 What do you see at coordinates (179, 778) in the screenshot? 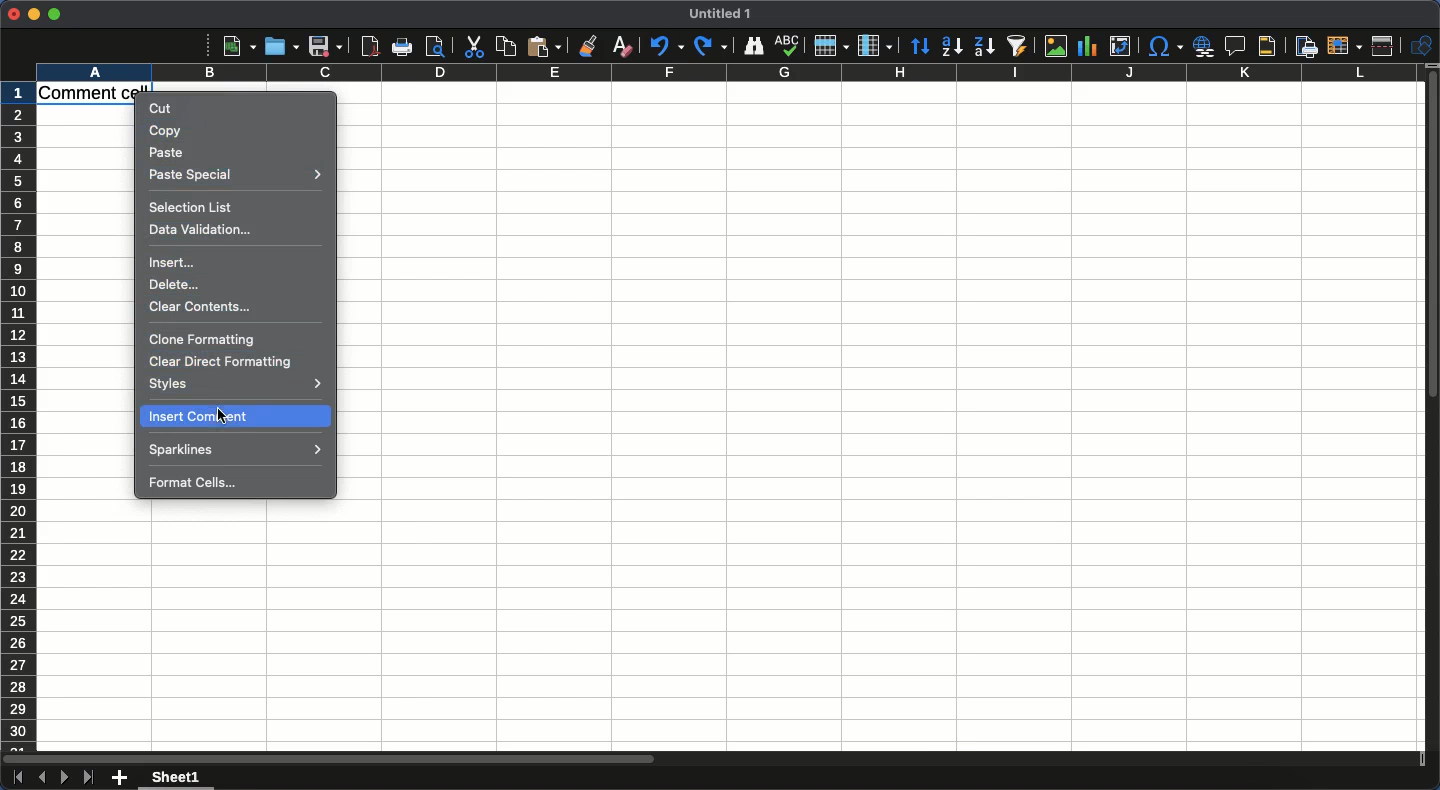
I see `Sheet 1` at bounding box center [179, 778].